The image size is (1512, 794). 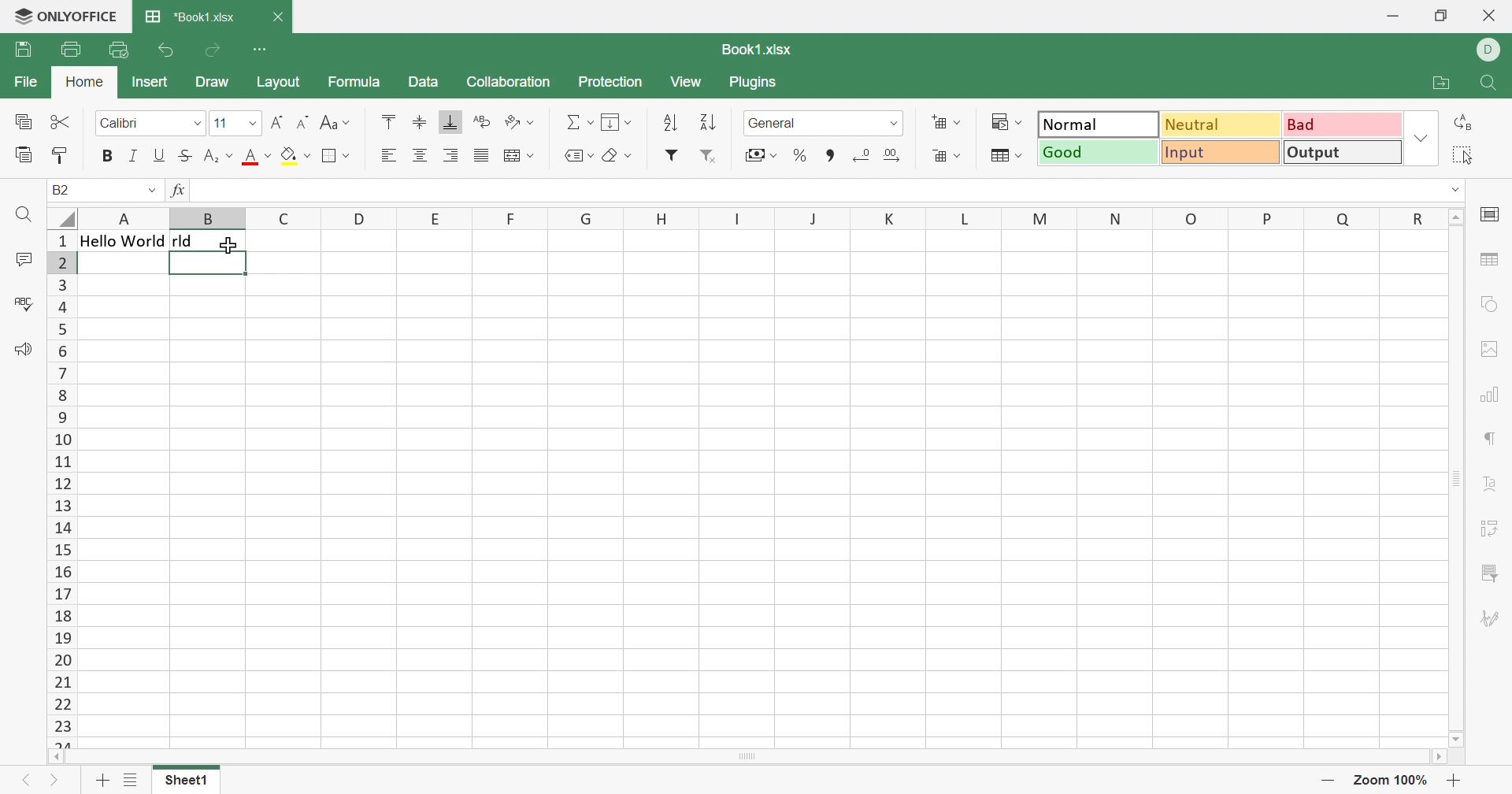 What do you see at coordinates (1488, 530) in the screenshot?
I see `Pivot table settings` at bounding box center [1488, 530].